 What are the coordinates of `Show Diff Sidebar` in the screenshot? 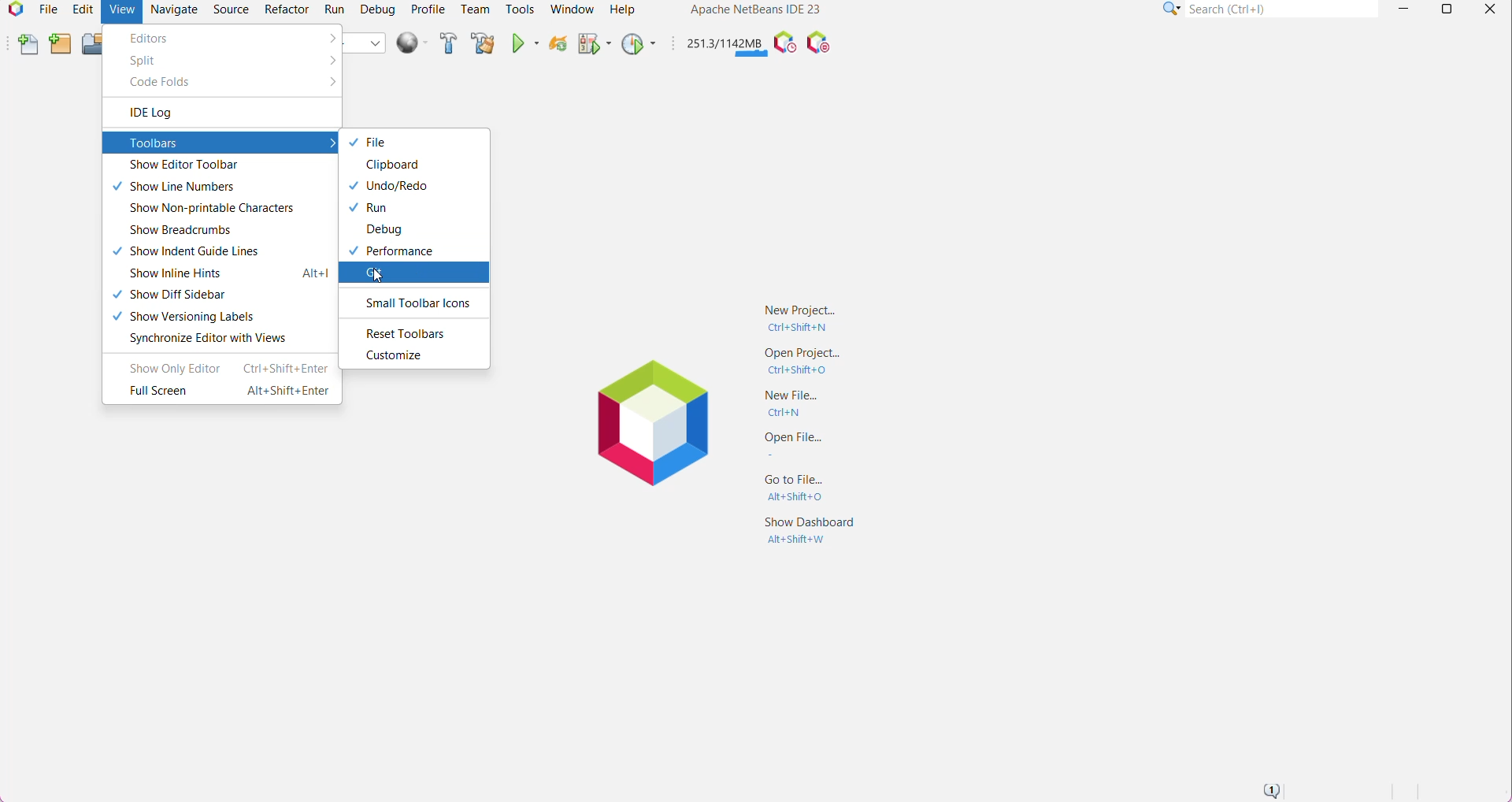 It's located at (171, 294).